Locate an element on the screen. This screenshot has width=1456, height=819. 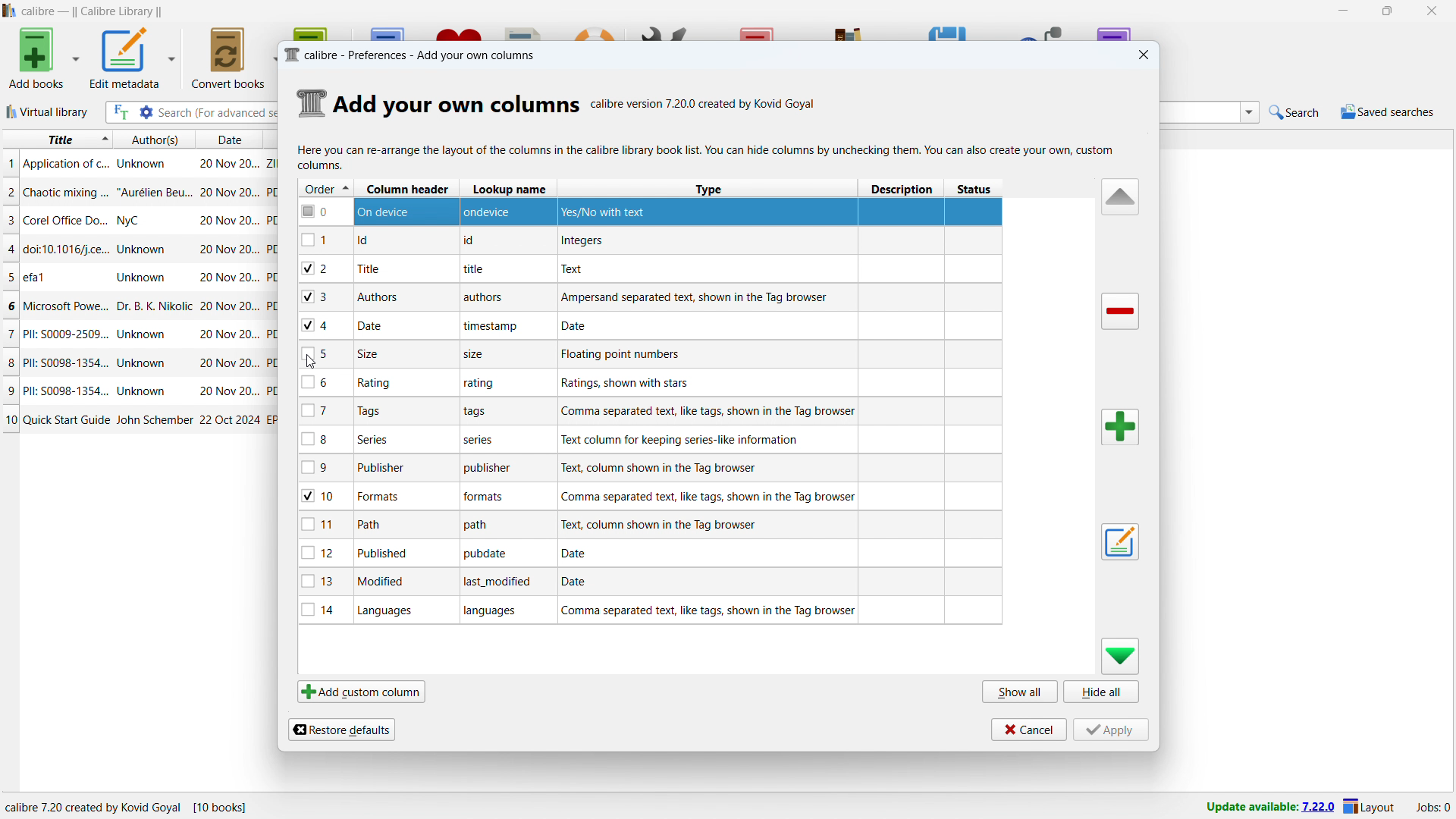
authors is located at coordinates (487, 299).